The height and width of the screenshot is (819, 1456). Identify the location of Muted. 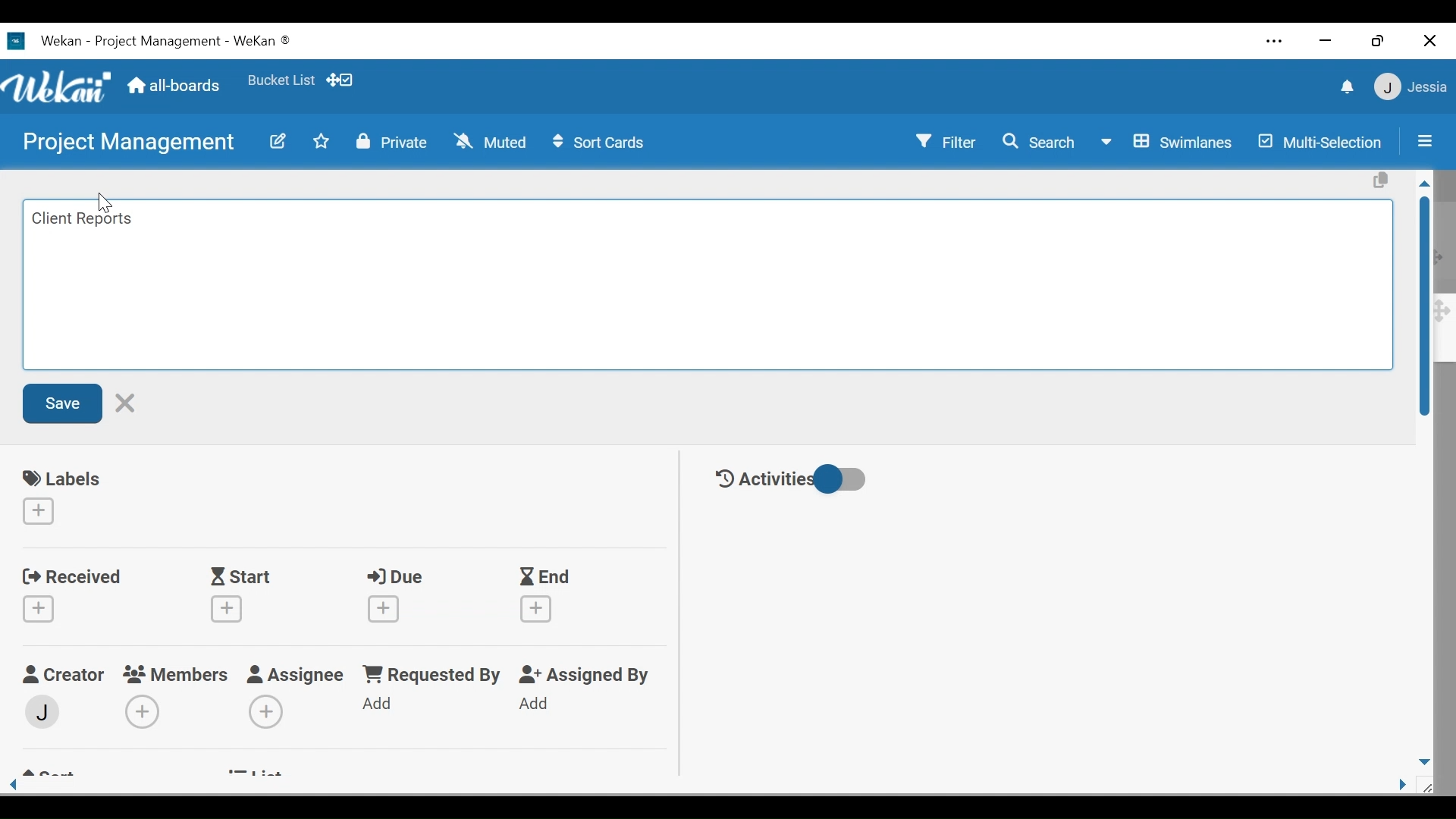
(489, 143).